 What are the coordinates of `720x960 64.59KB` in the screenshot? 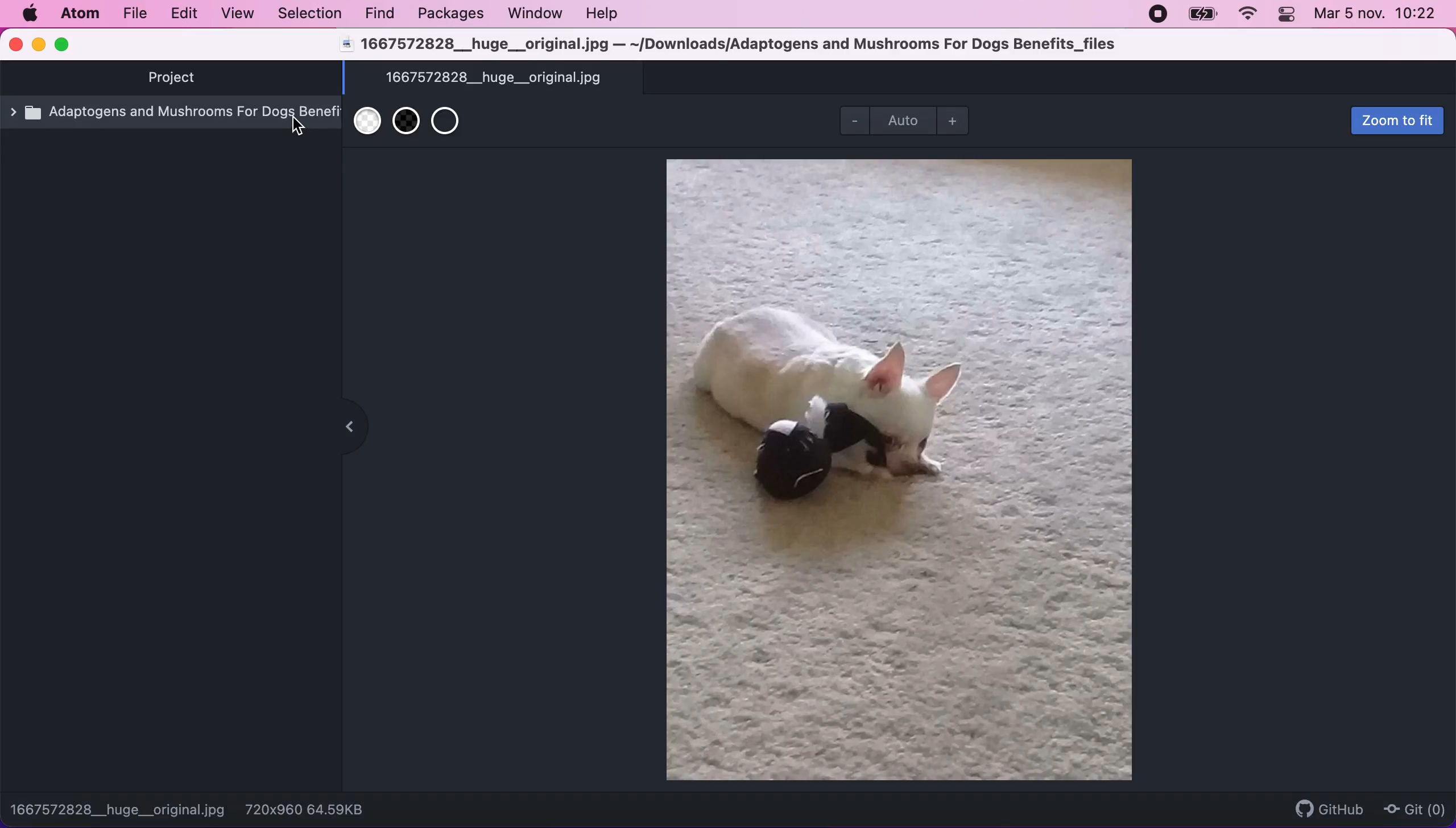 It's located at (313, 809).